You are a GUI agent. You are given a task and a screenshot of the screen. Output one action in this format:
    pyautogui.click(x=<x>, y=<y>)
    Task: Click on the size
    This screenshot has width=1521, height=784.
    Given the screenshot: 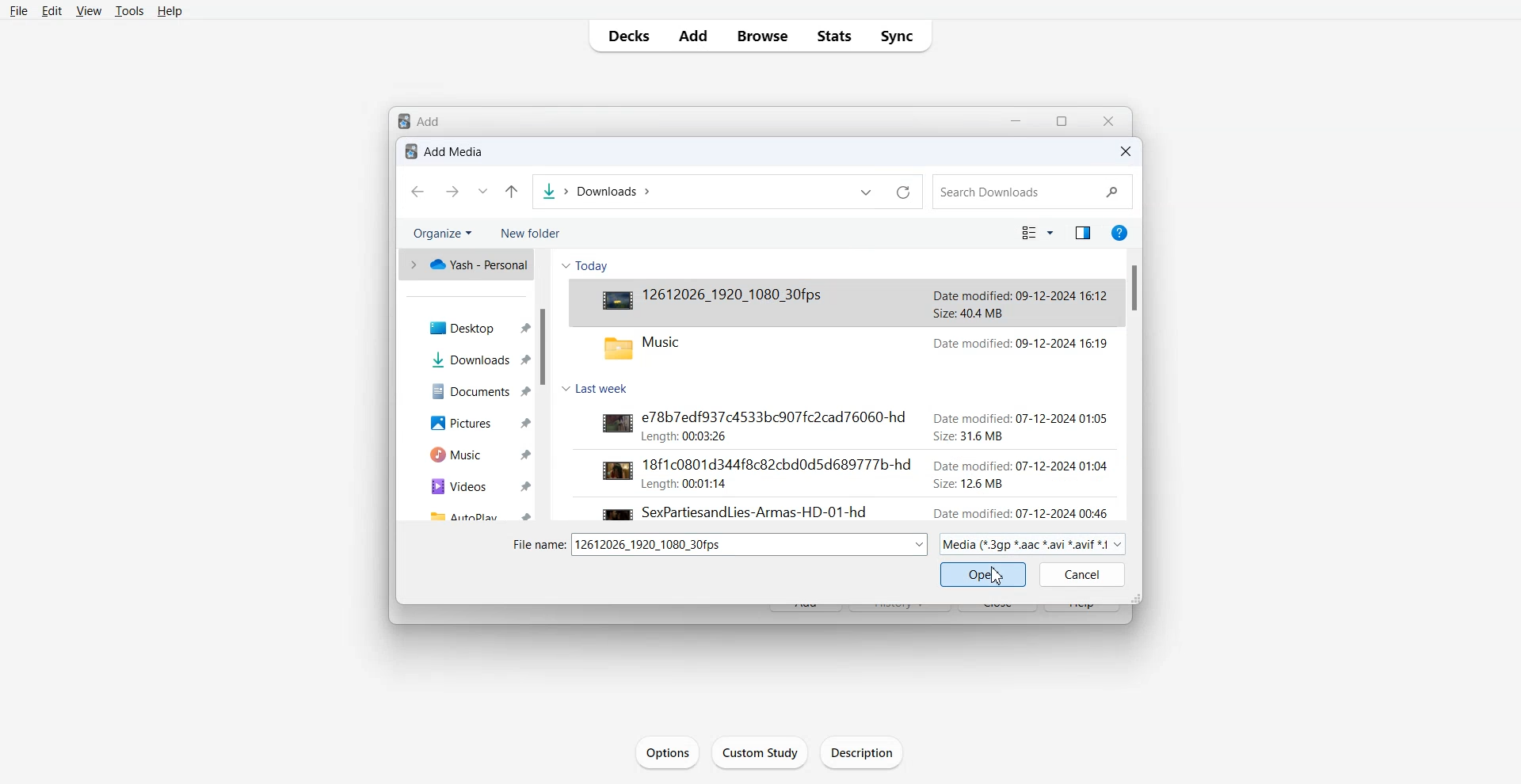 What is the action you would take?
    pyautogui.click(x=969, y=483)
    